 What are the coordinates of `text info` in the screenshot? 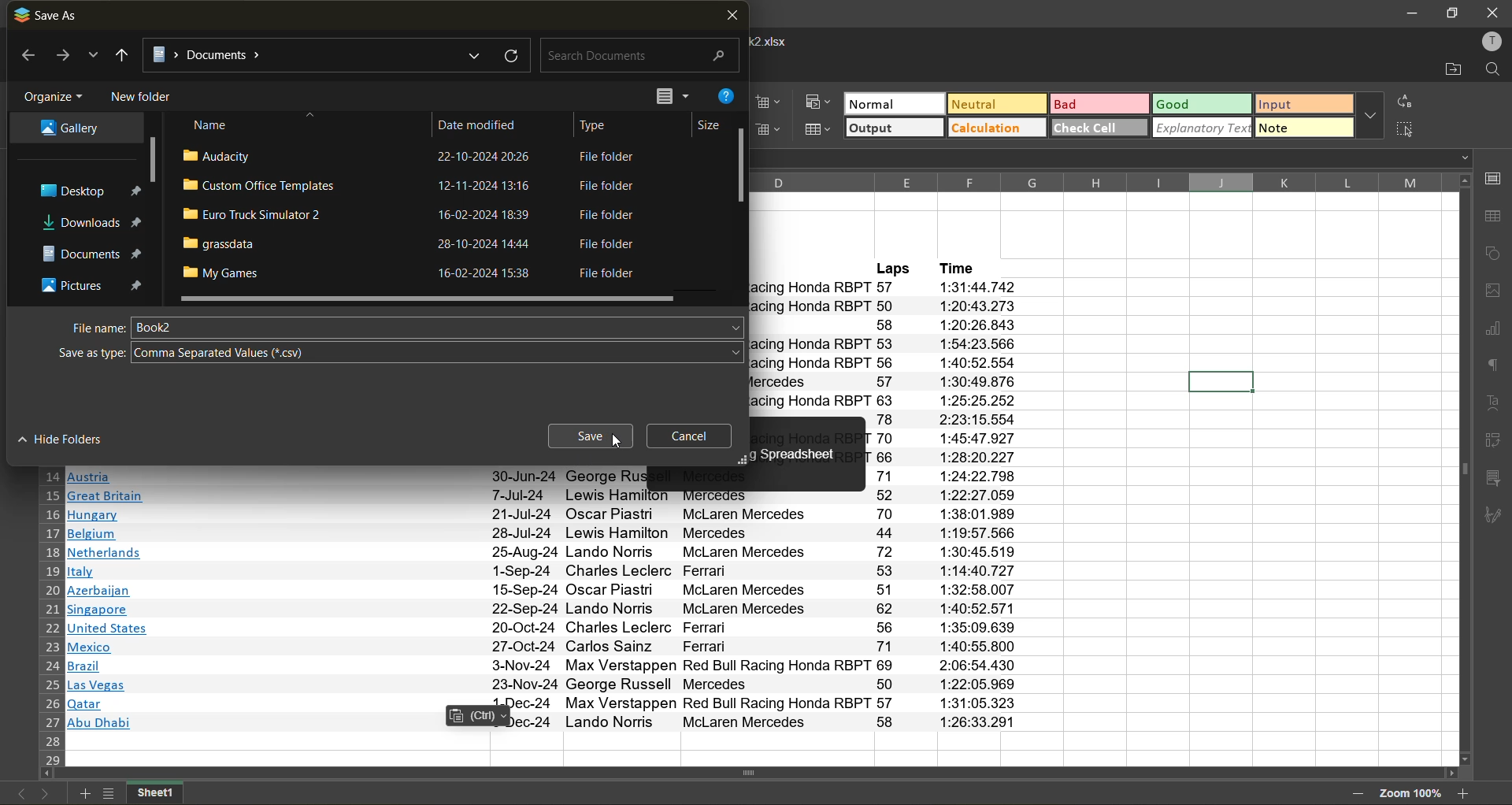 It's located at (542, 515).